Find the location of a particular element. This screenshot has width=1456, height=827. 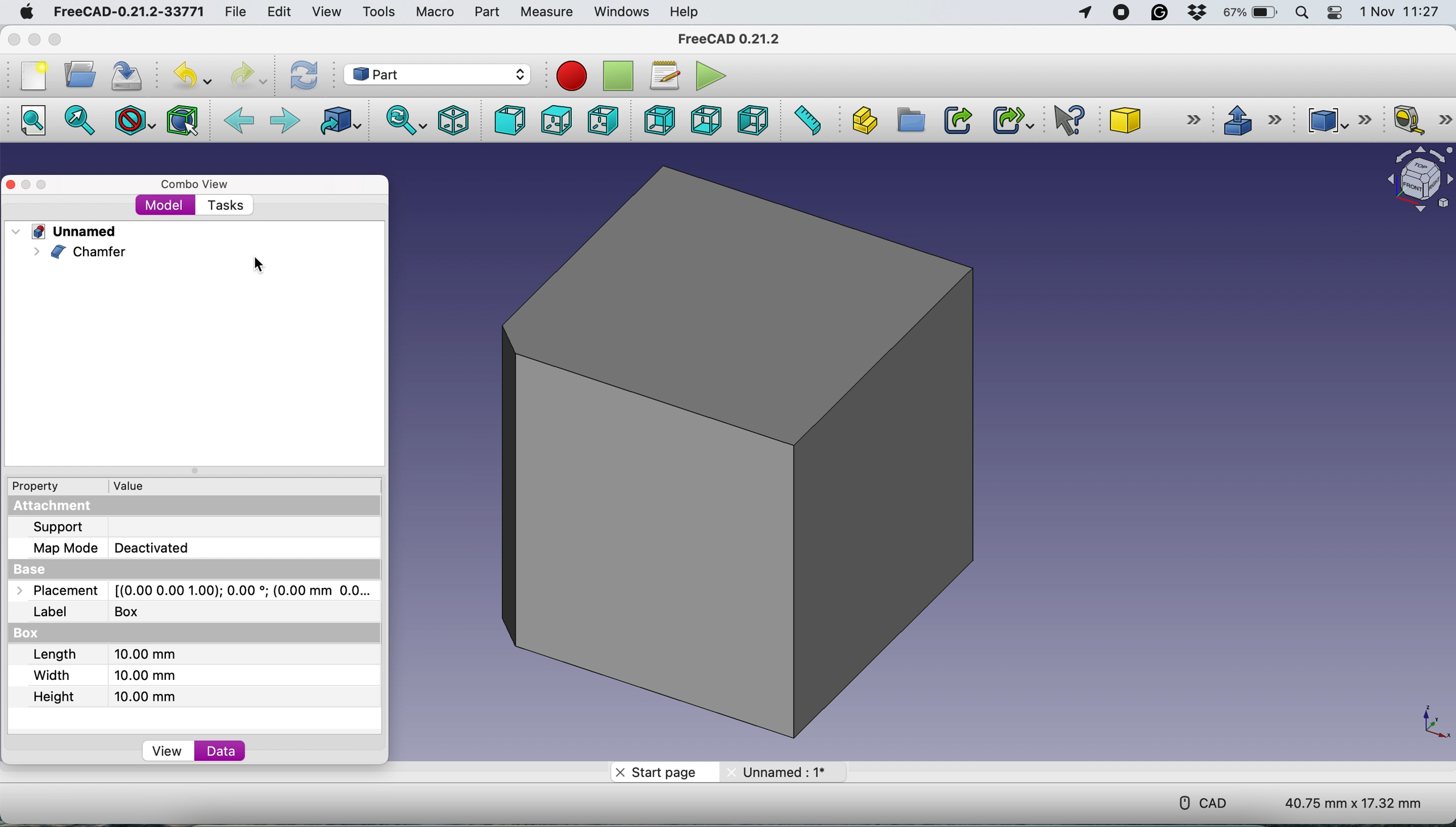

isometric is located at coordinates (451, 121).